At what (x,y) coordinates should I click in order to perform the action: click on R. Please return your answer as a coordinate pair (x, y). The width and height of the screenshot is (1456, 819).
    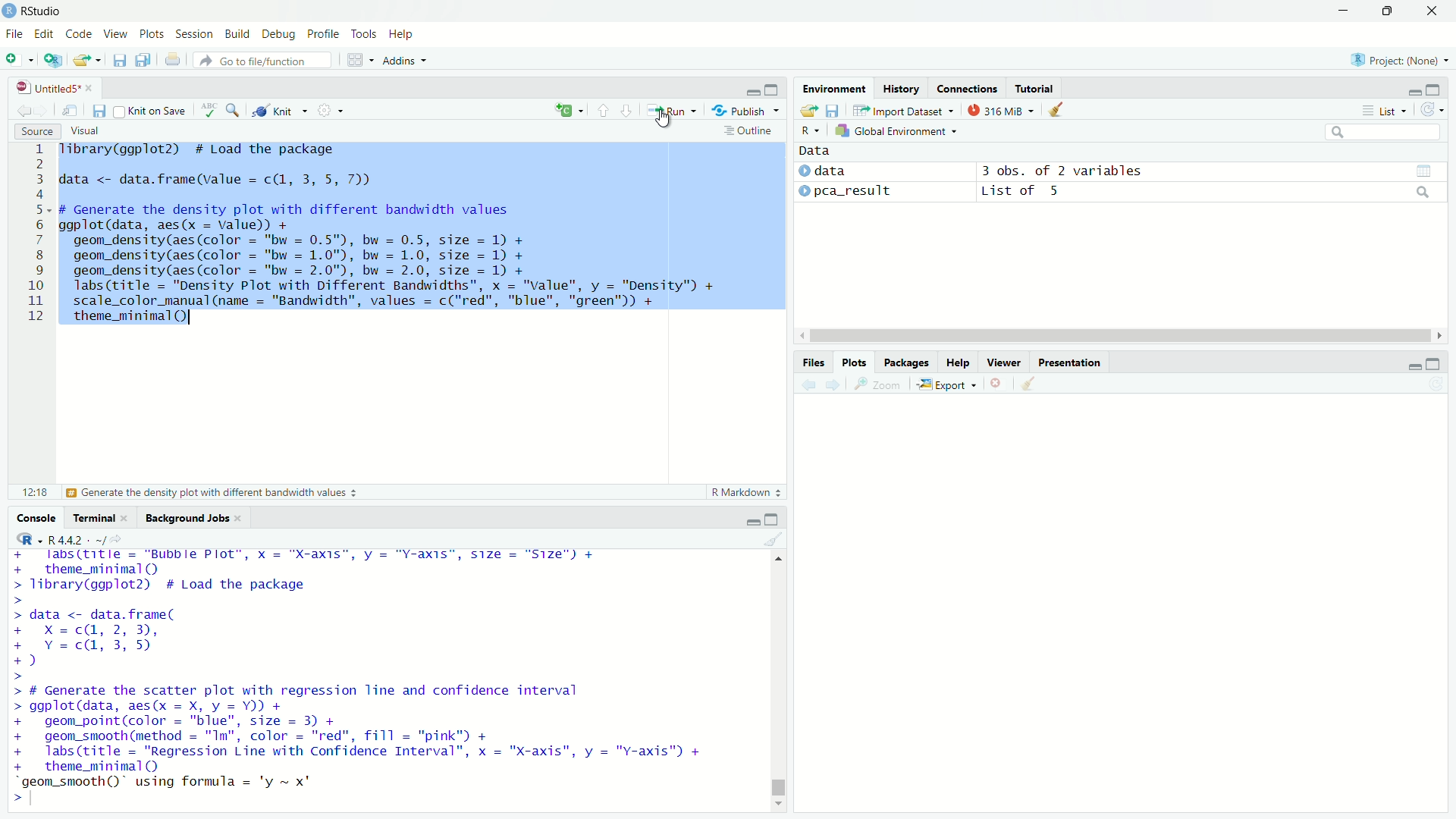
    Looking at the image, I should click on (26, 538).